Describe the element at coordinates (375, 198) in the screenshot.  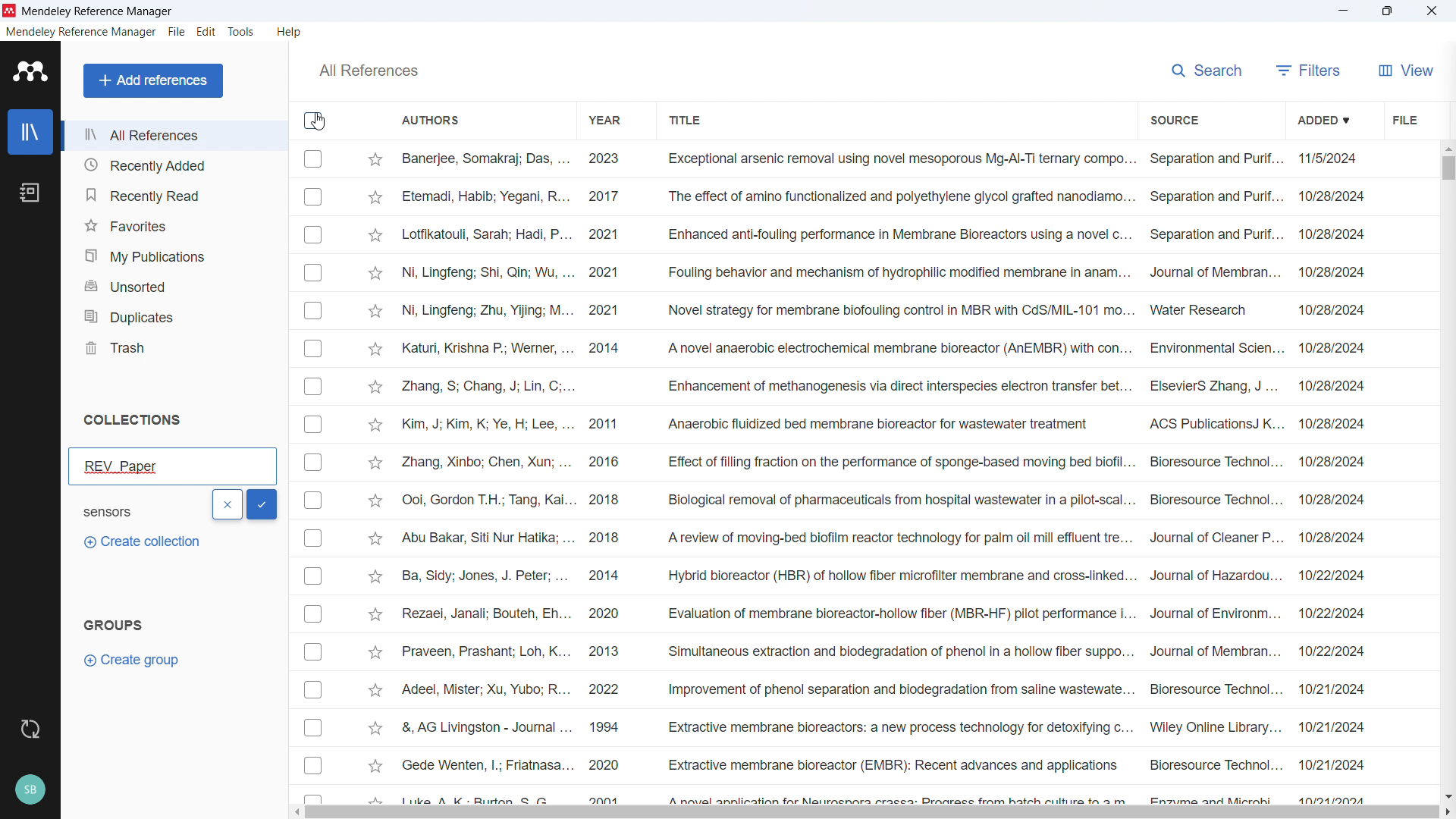
I see `Star mark respective publication` at that location.